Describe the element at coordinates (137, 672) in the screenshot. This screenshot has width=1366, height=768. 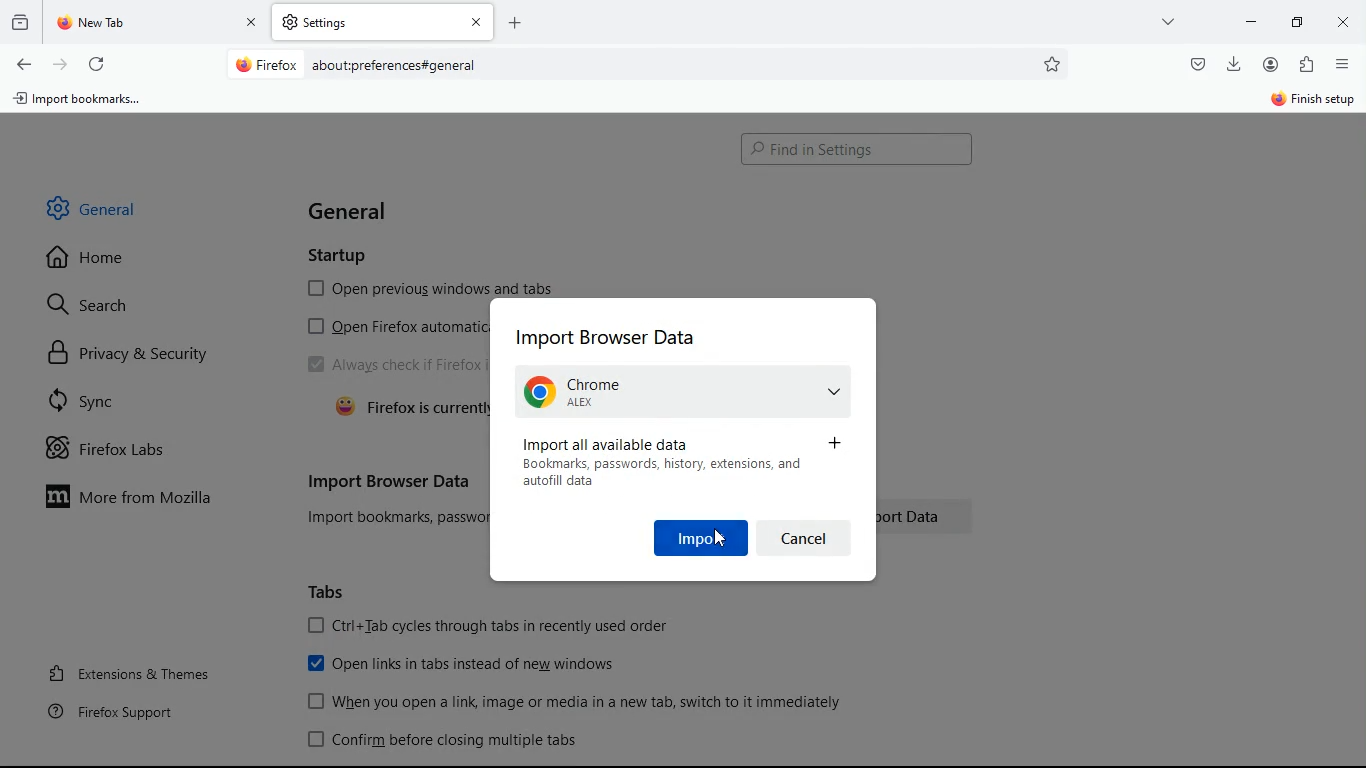
I see `extensions & themes` at that location.